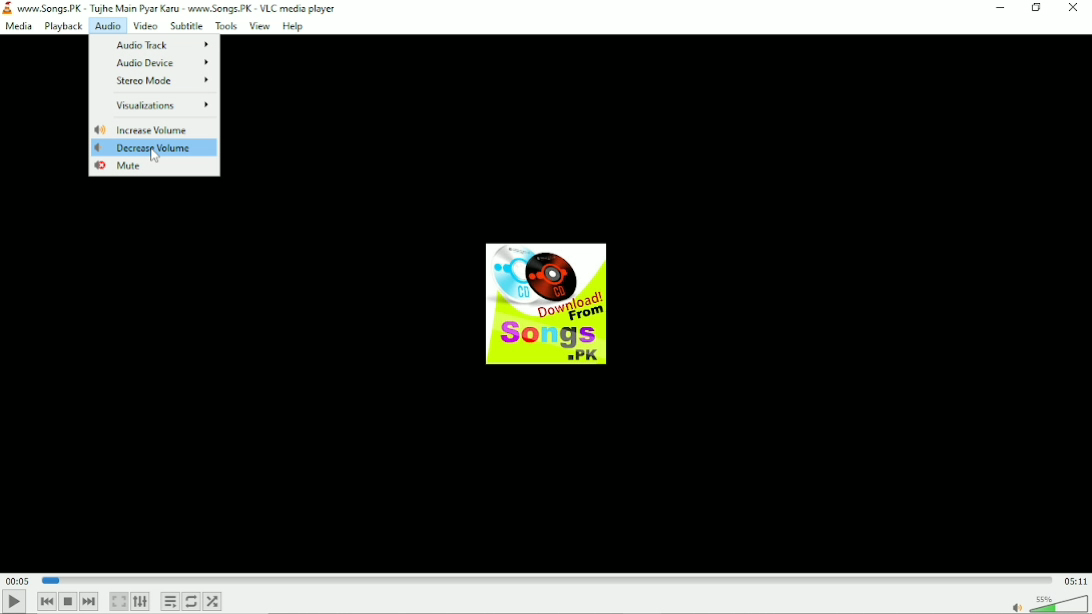 This screenshot has width=1092, height=614. I want to click on Stereo mode, so click(165, 81).